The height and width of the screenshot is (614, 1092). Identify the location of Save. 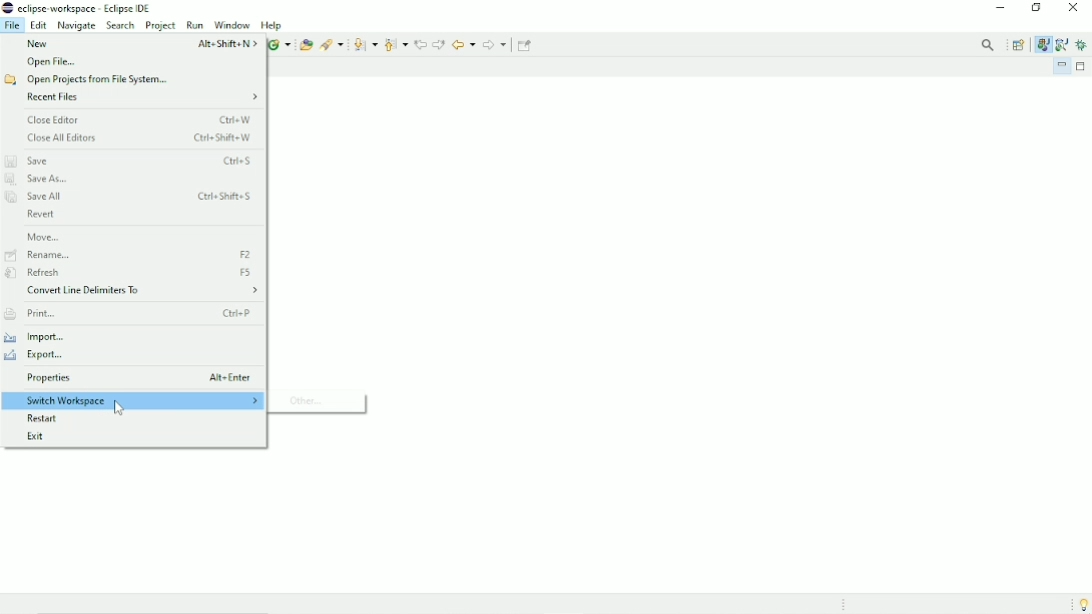
(131, 160).